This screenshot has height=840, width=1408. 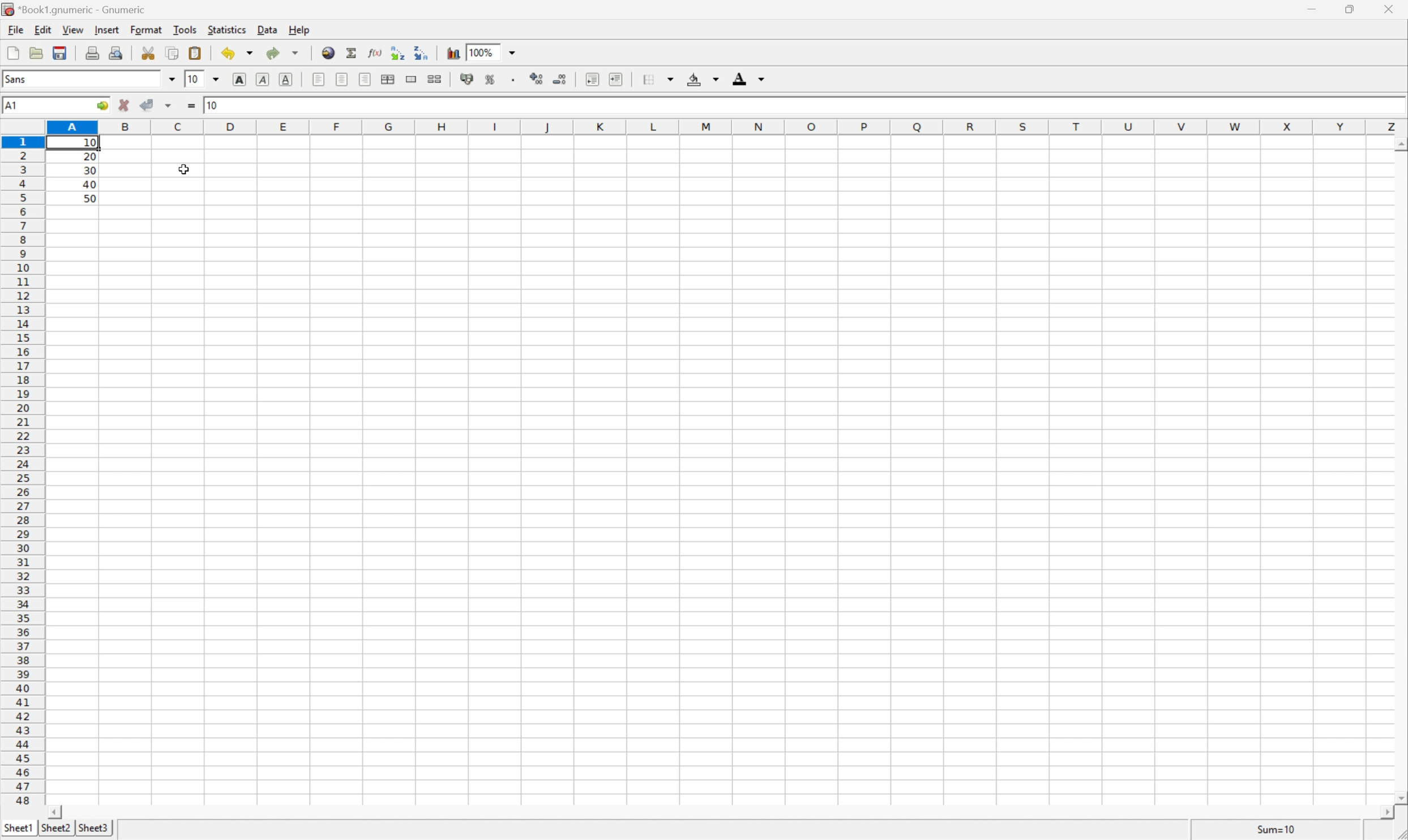 I want to click on Restore Down, so click(x=1346, y=9).